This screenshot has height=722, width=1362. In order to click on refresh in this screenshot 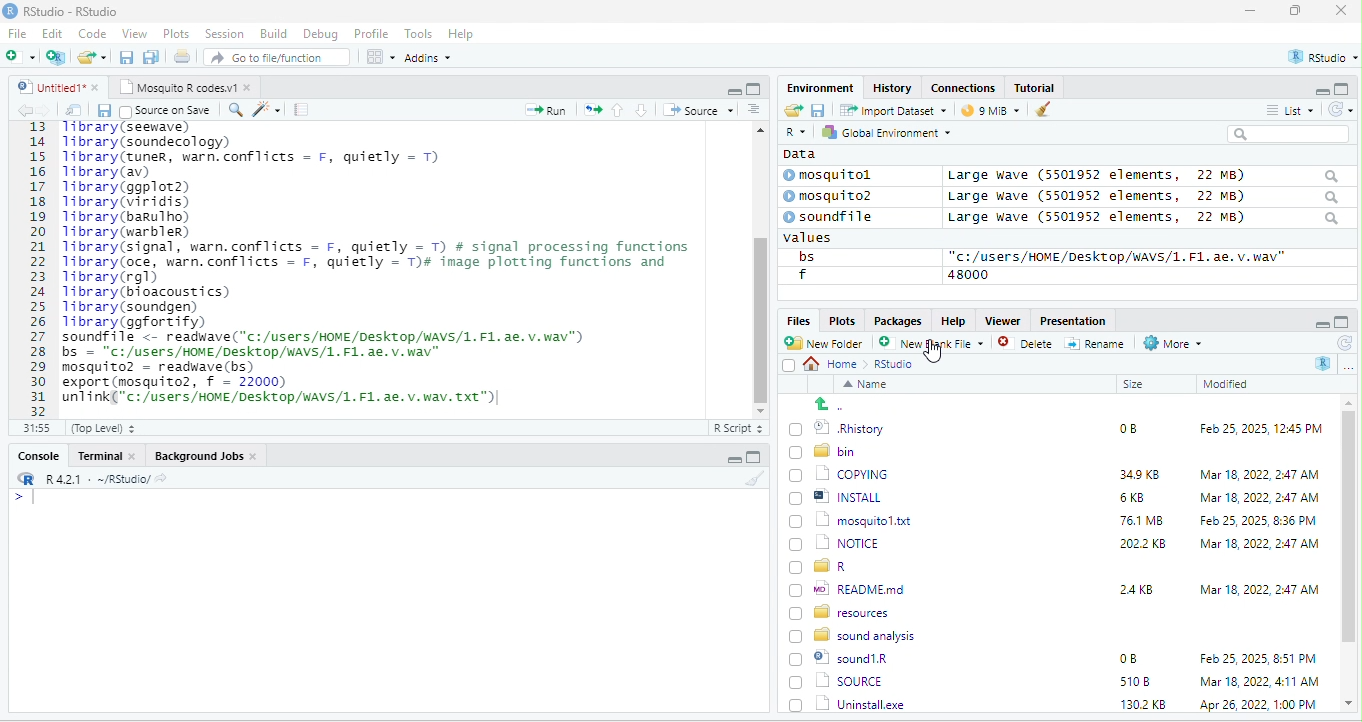, I will do `click(1337, 109)`.